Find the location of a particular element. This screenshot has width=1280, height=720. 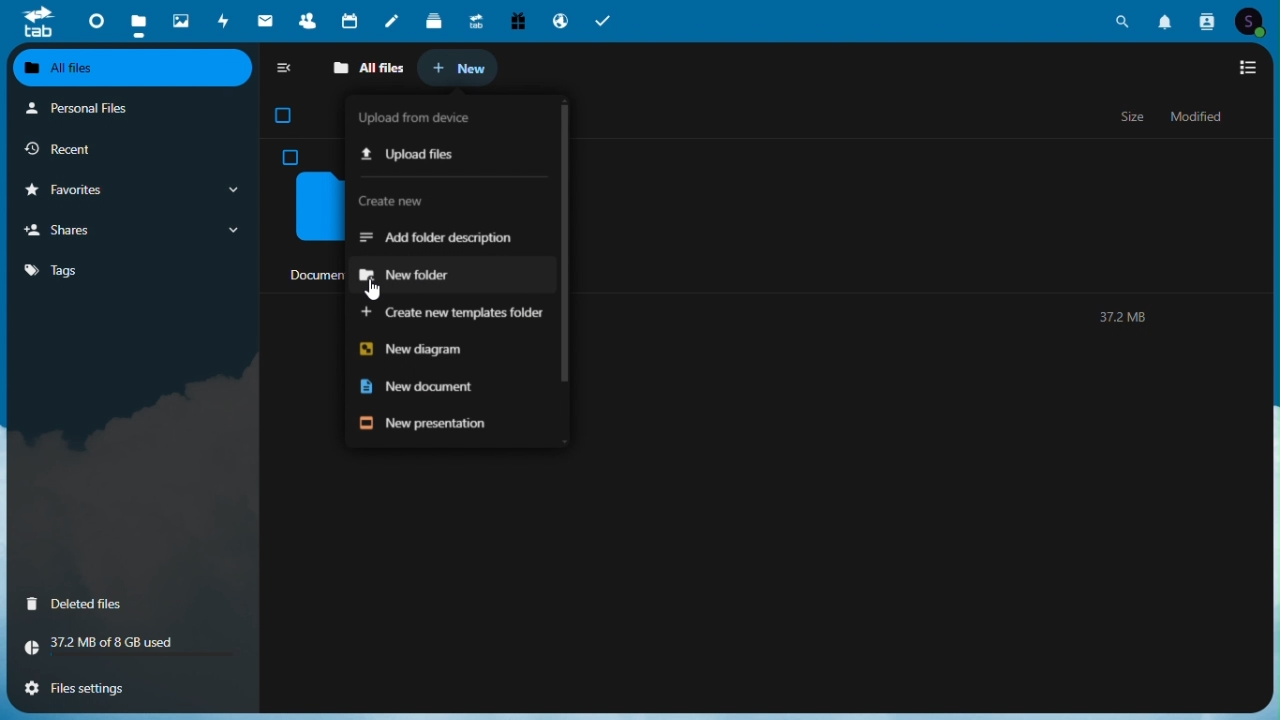

Shares is located at coordinates (128, 230).